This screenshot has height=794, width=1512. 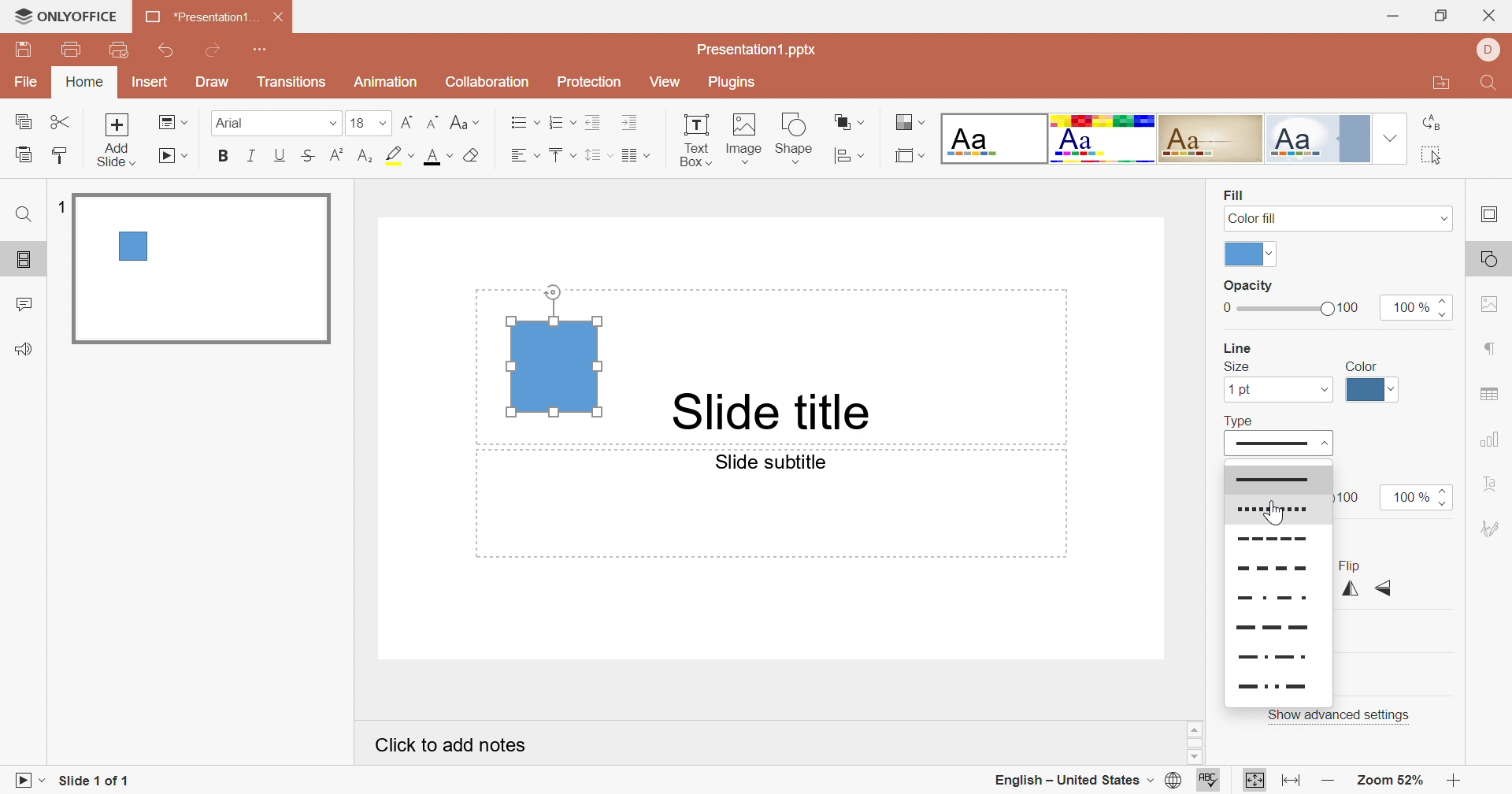 What do you see at coordinates (368, 123) in the screenshot?
I see `13` at bounding box center [368, 123].